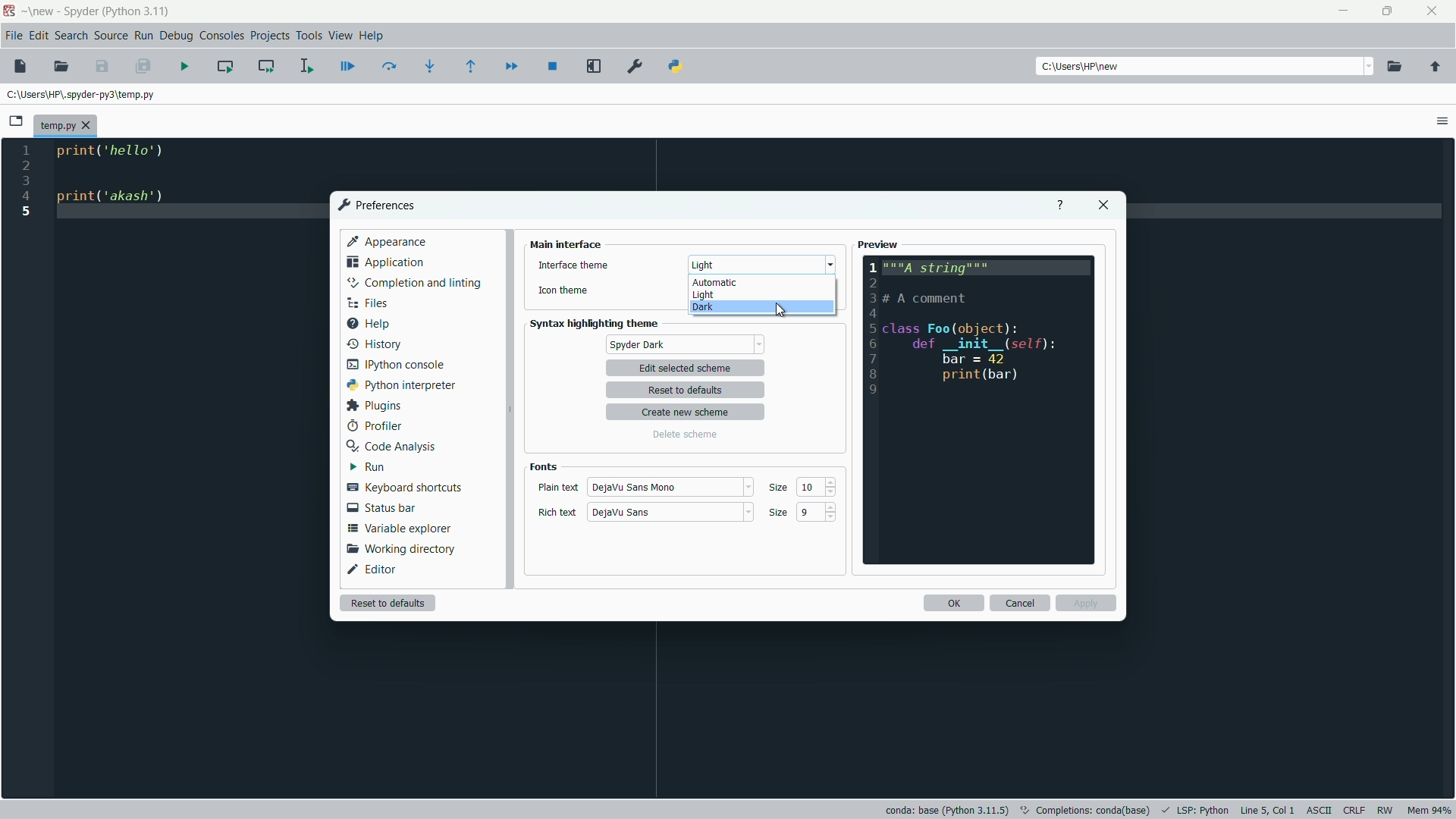 Image resolution: width=1456 pixels, height=819 pixels. I want to click on browse tabs, so click(17, 121).